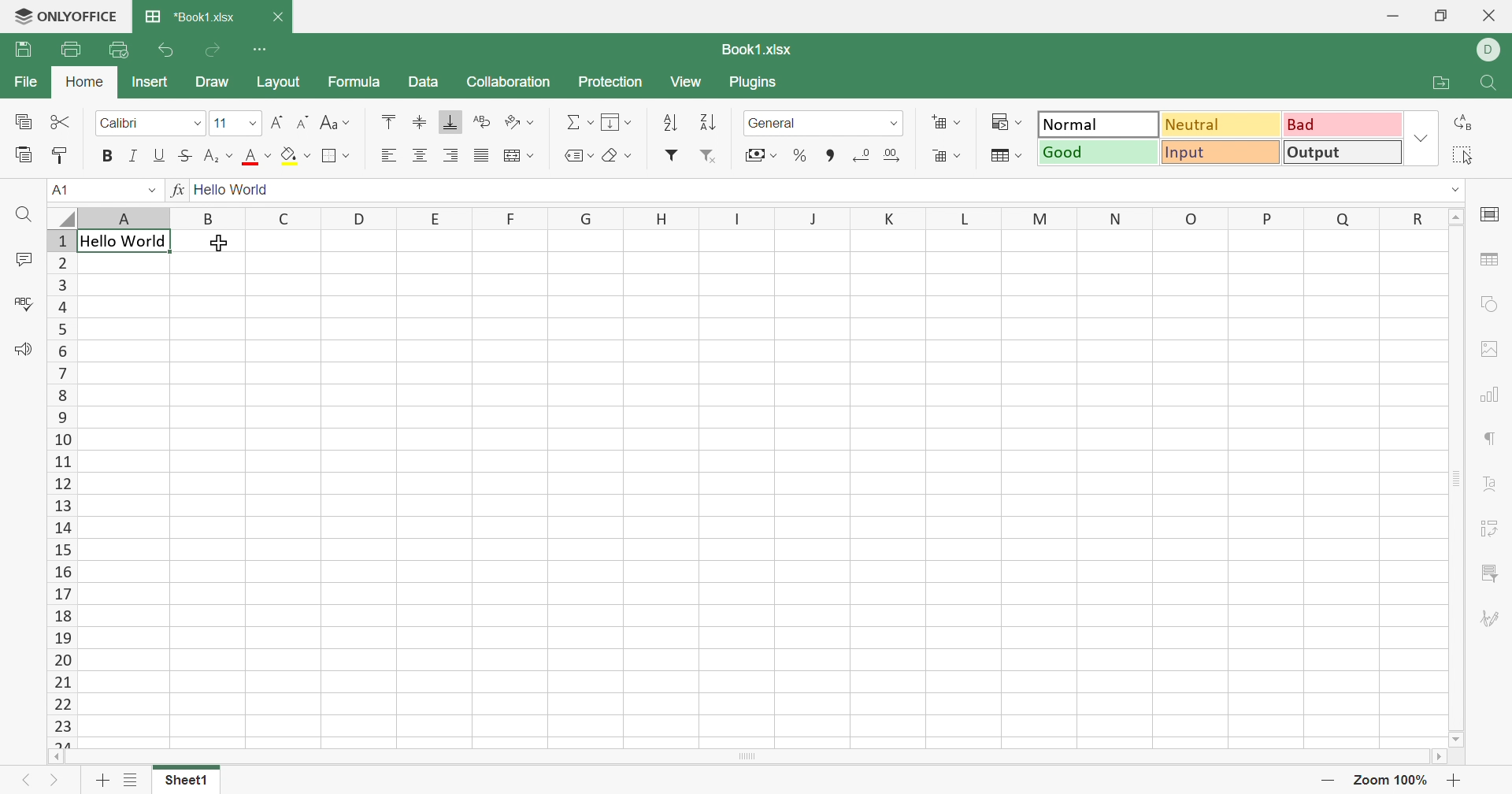 The image size is (1512, 794). Describe the element at coordinates (1441, 84) in the screenshot. I see `Open file location` at that location.